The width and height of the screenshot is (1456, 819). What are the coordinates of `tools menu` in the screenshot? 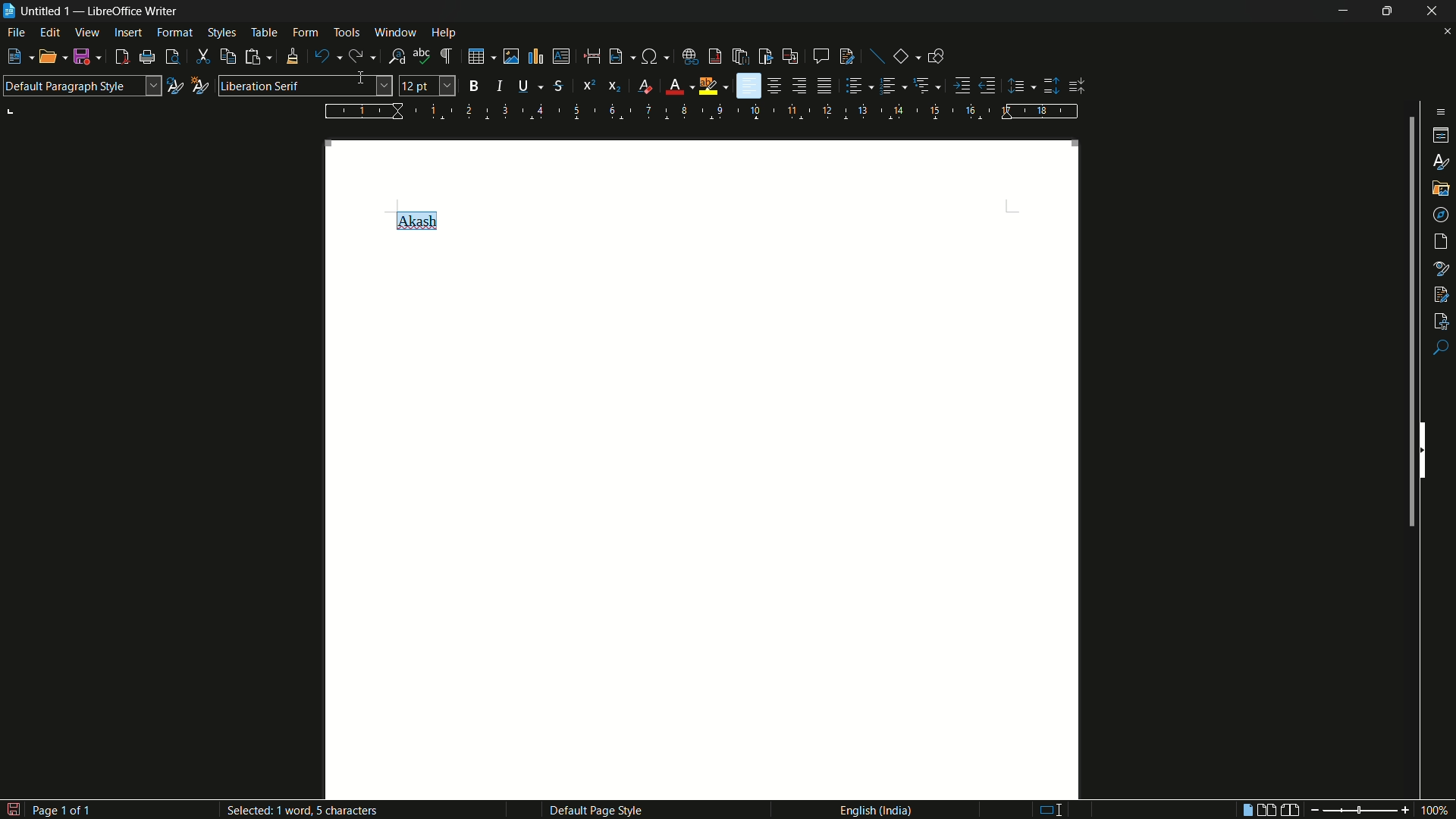 It's located at (347, 32).